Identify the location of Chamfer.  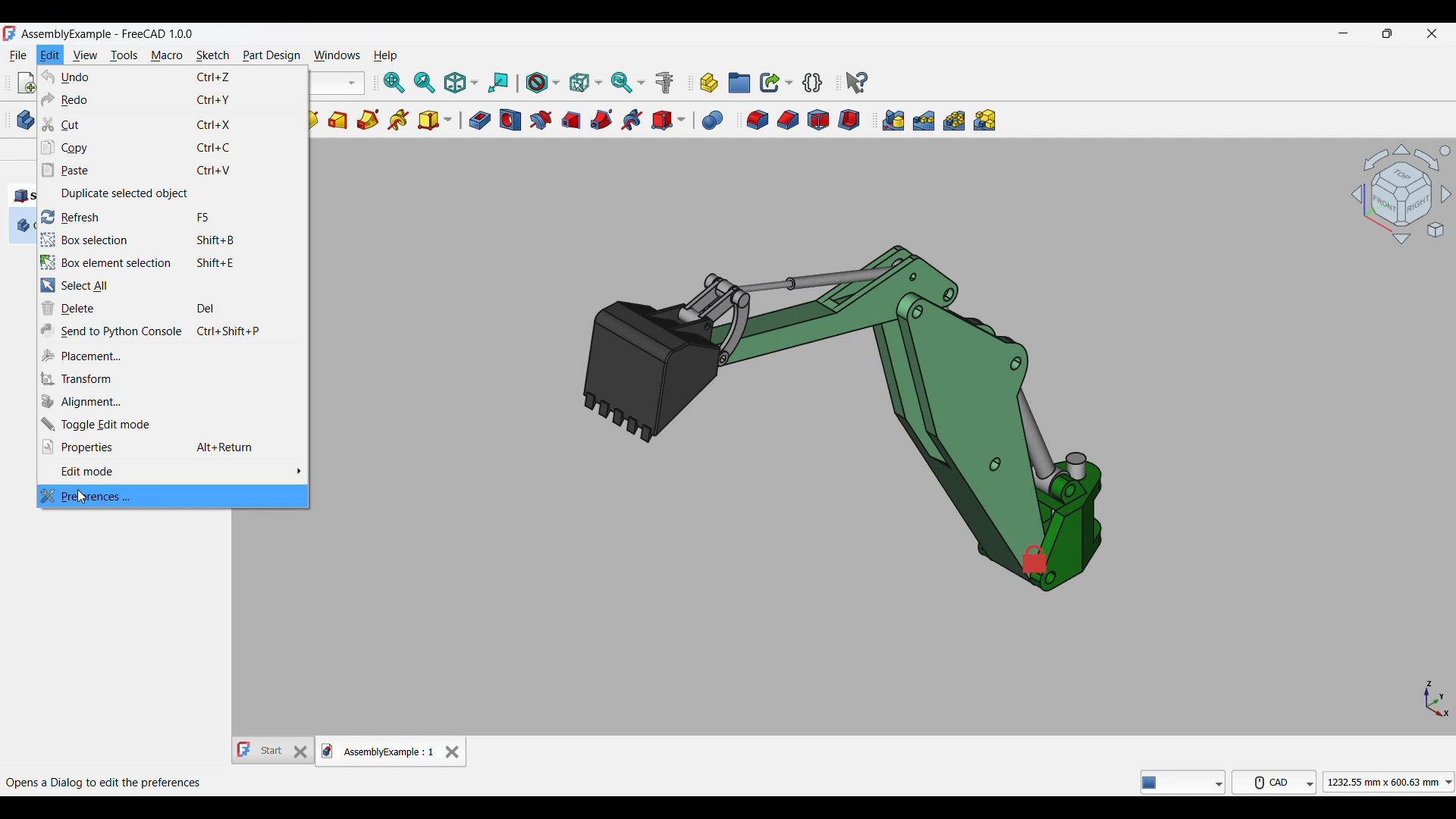
(788, 120).